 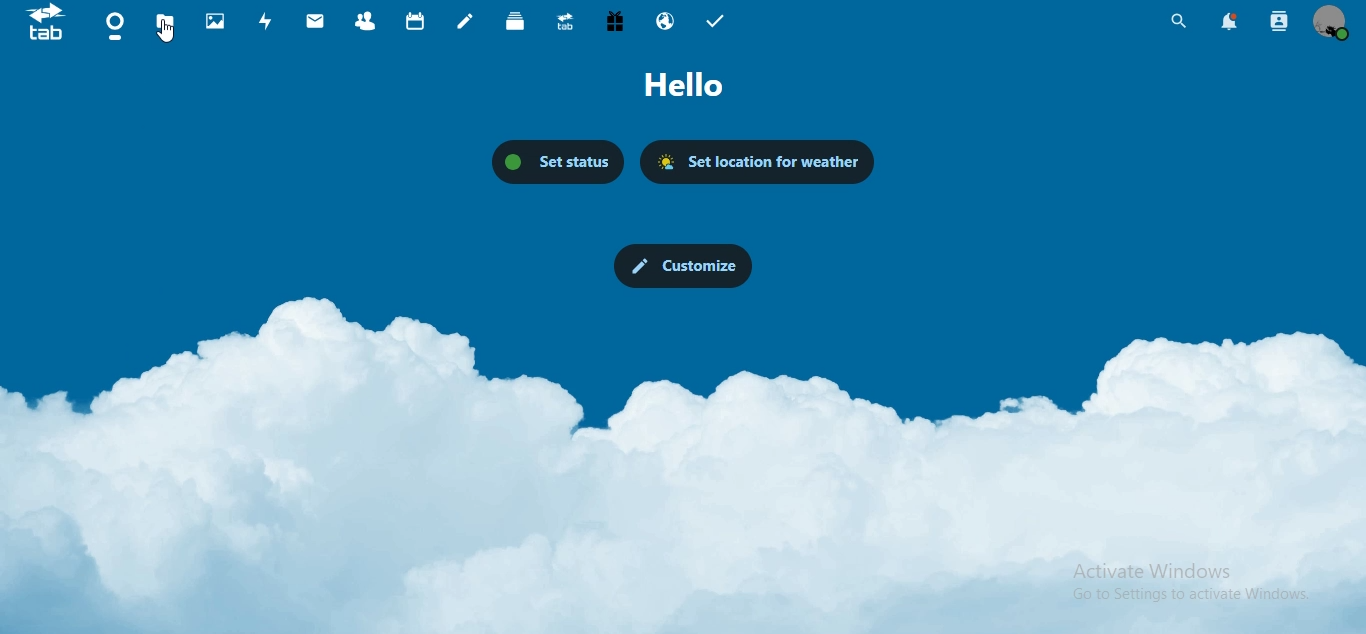 I want to click on deck, so click(x=516, y=21).